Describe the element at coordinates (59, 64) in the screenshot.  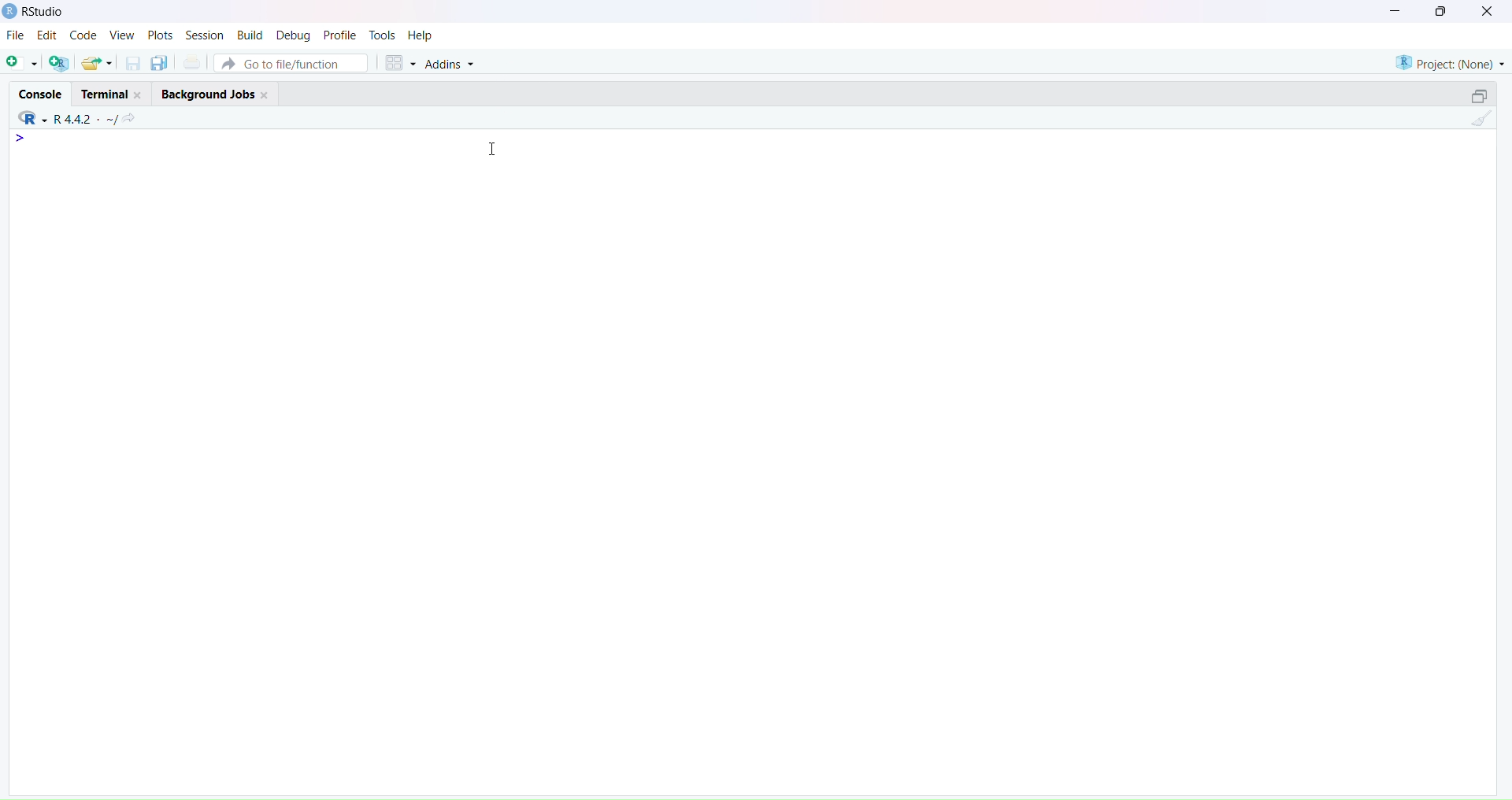
I see `create a project` at that location.